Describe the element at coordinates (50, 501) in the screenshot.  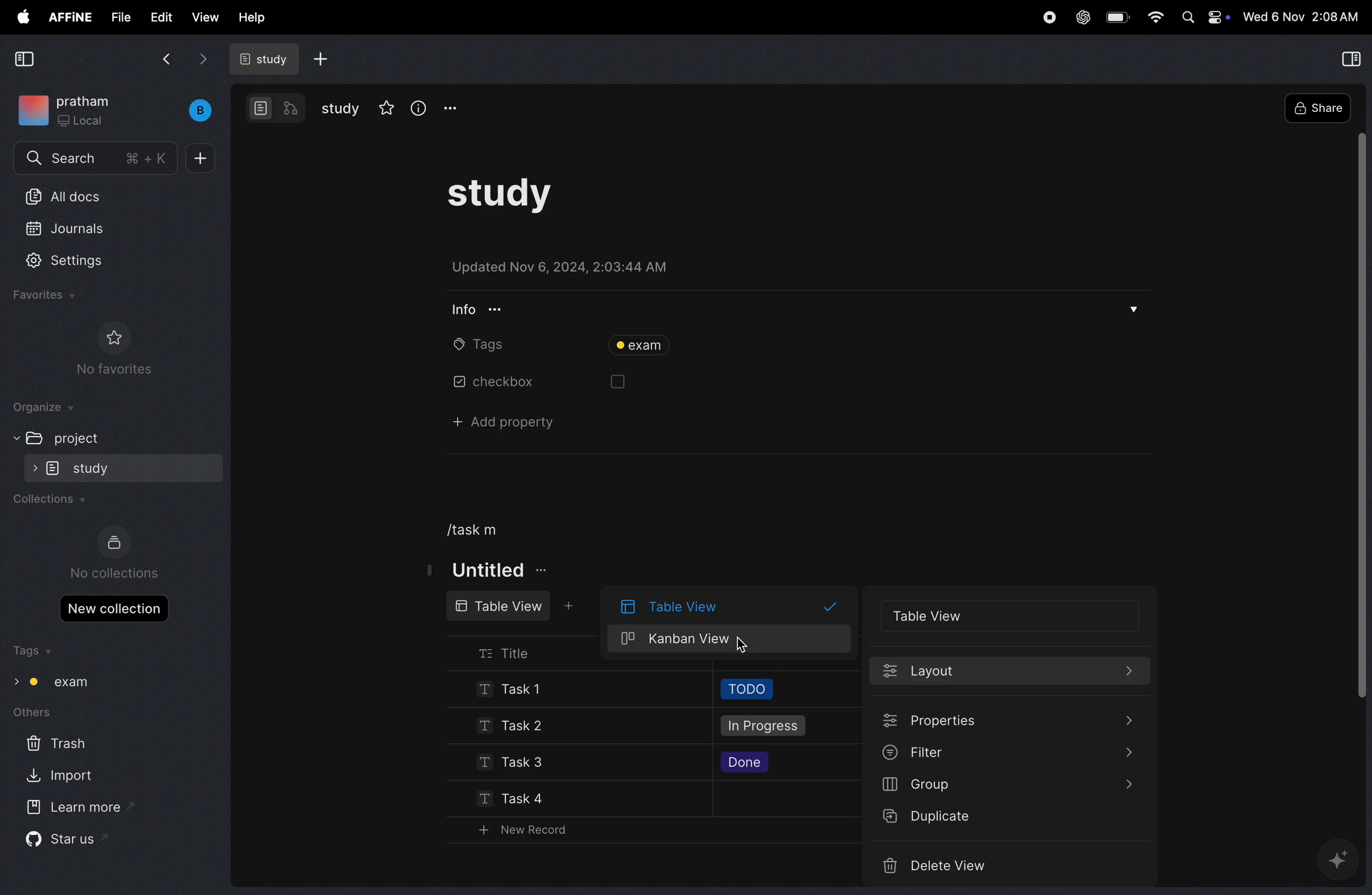
I see `collections` at that location.